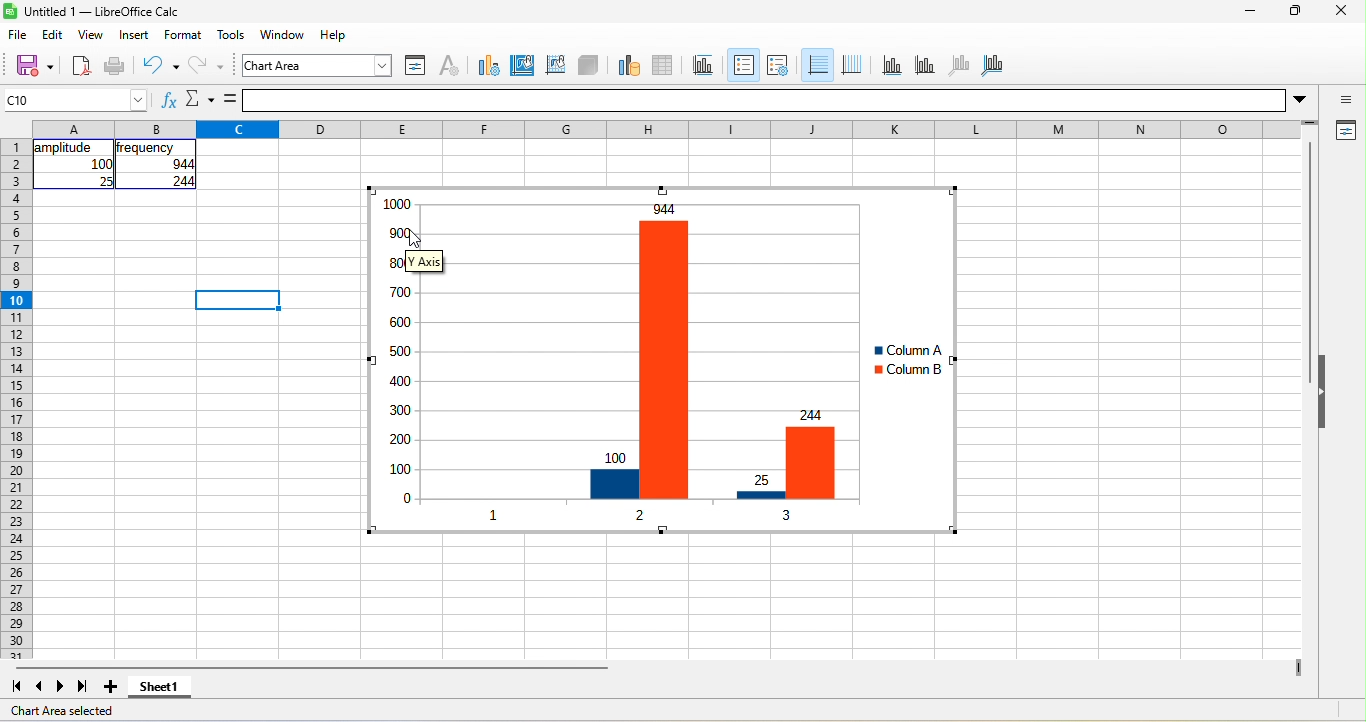  What do you see at coordinates (415, 237) in the screenshot?
I see `cursor` at bounding box center [415, 237].